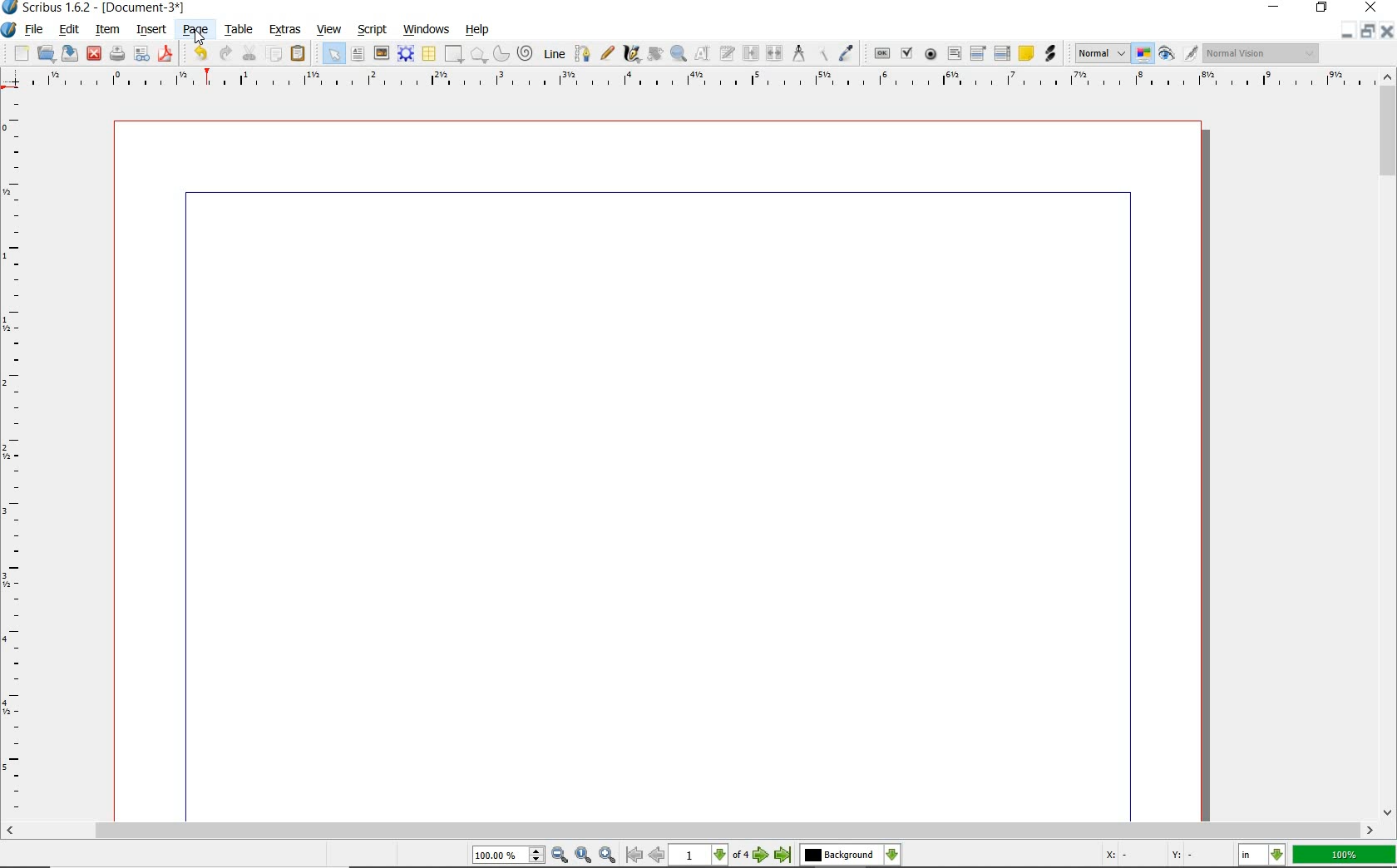 This screenshot has width=1397, height=868. I want to click on Zoom Out, so click(559, 855).